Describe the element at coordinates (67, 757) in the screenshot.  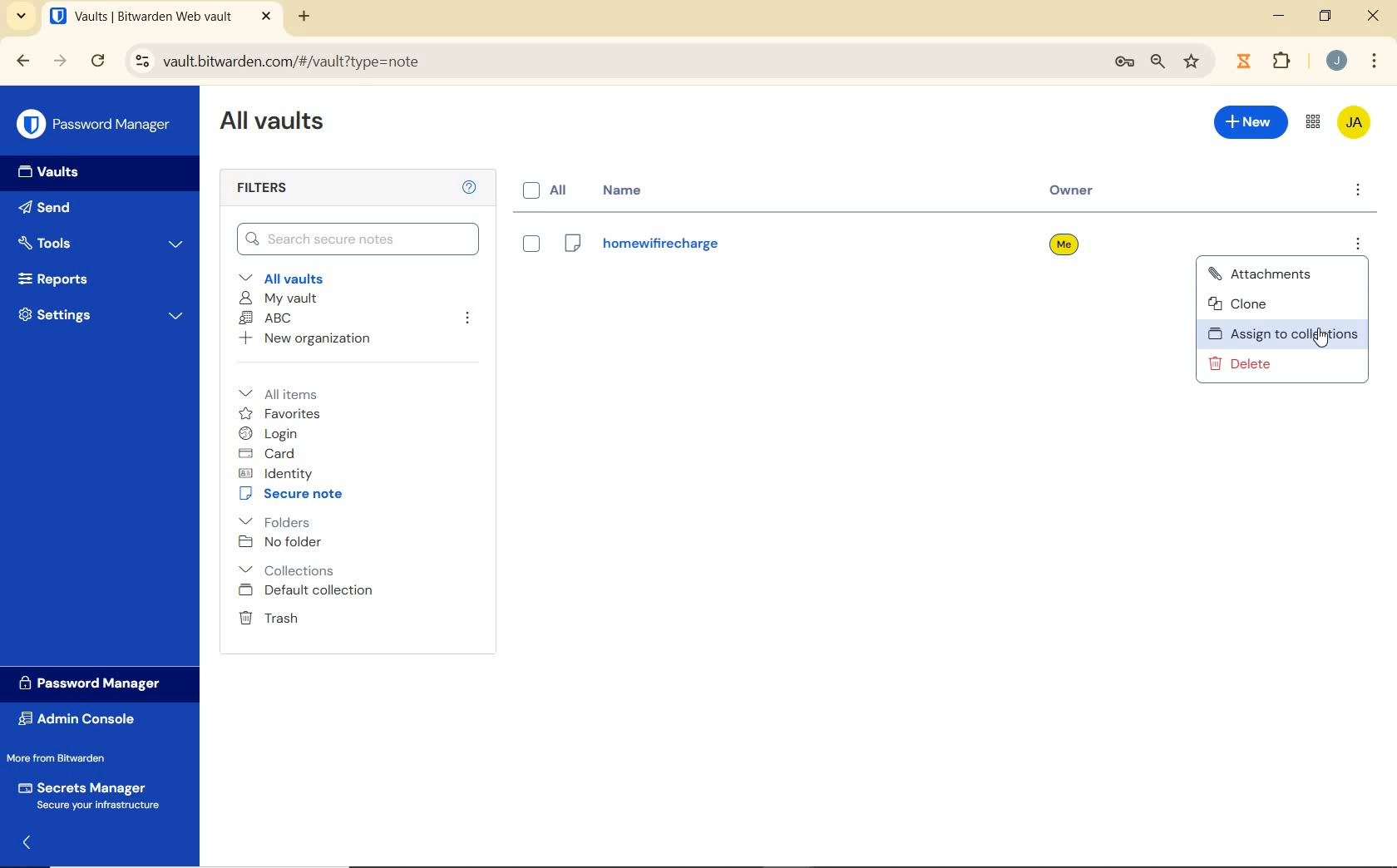
I see `More from Bitwarden` at that location.